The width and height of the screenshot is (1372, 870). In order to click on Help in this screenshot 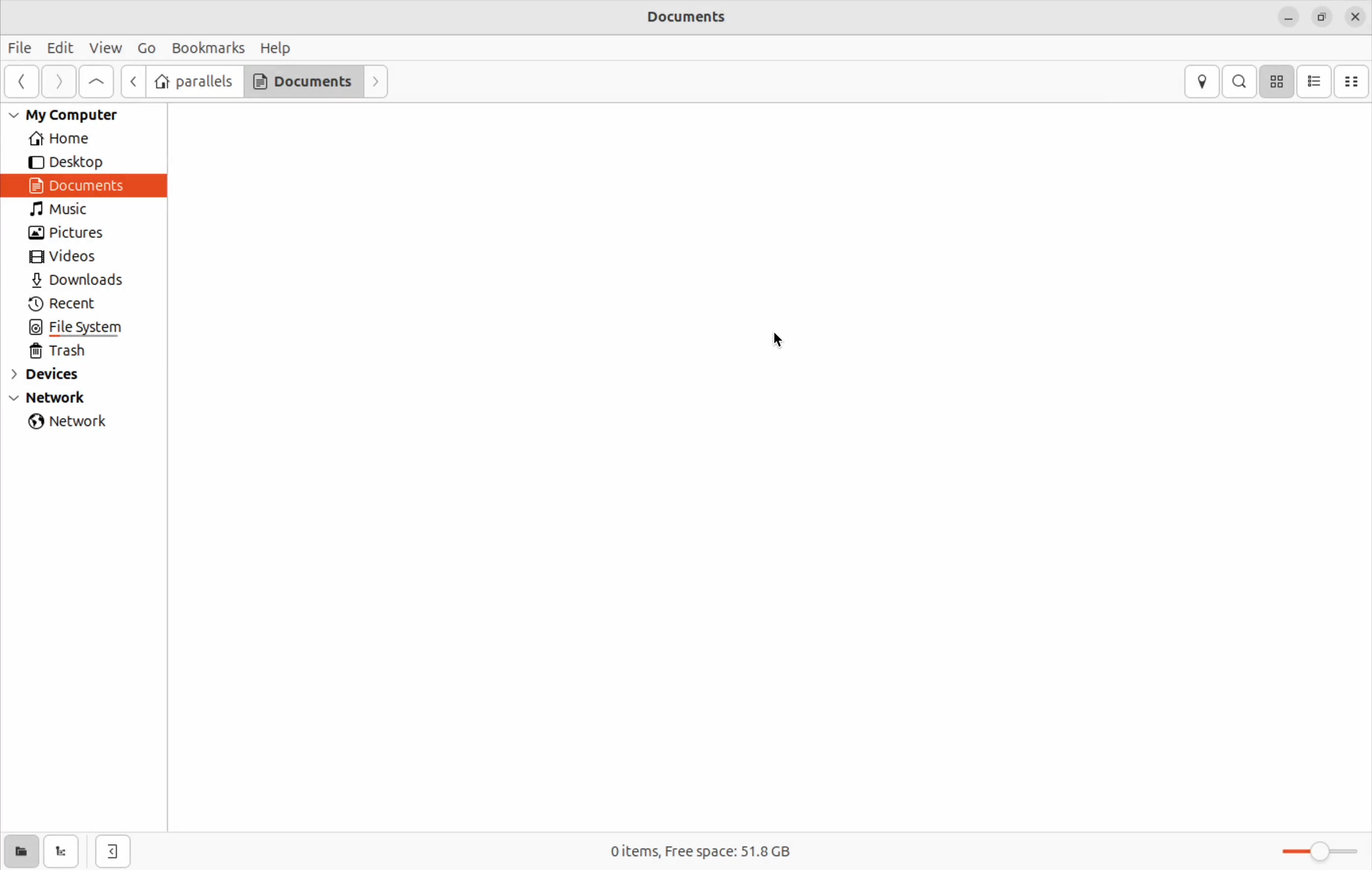, I will do `click(278, 47)`.